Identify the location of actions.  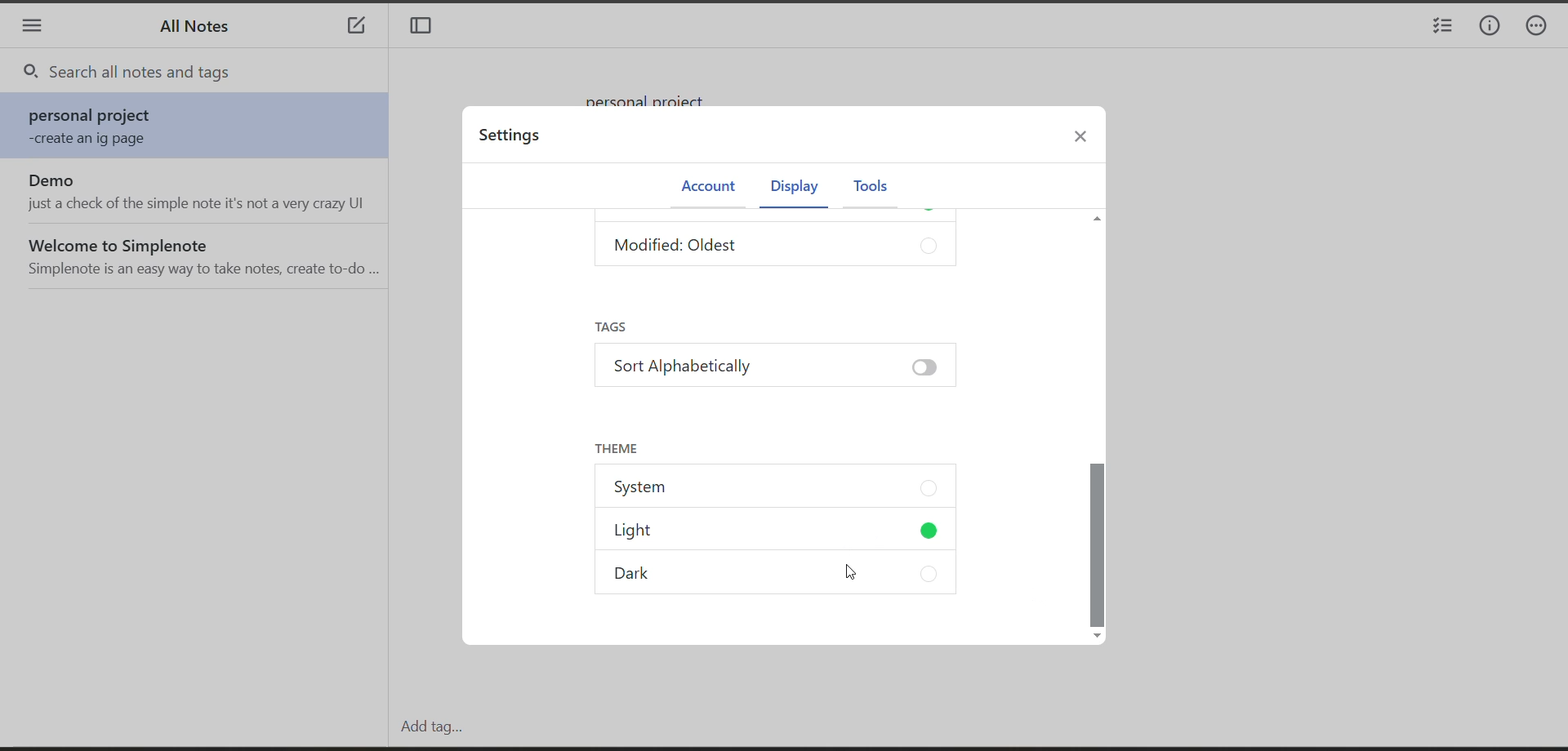
(1543, 28).